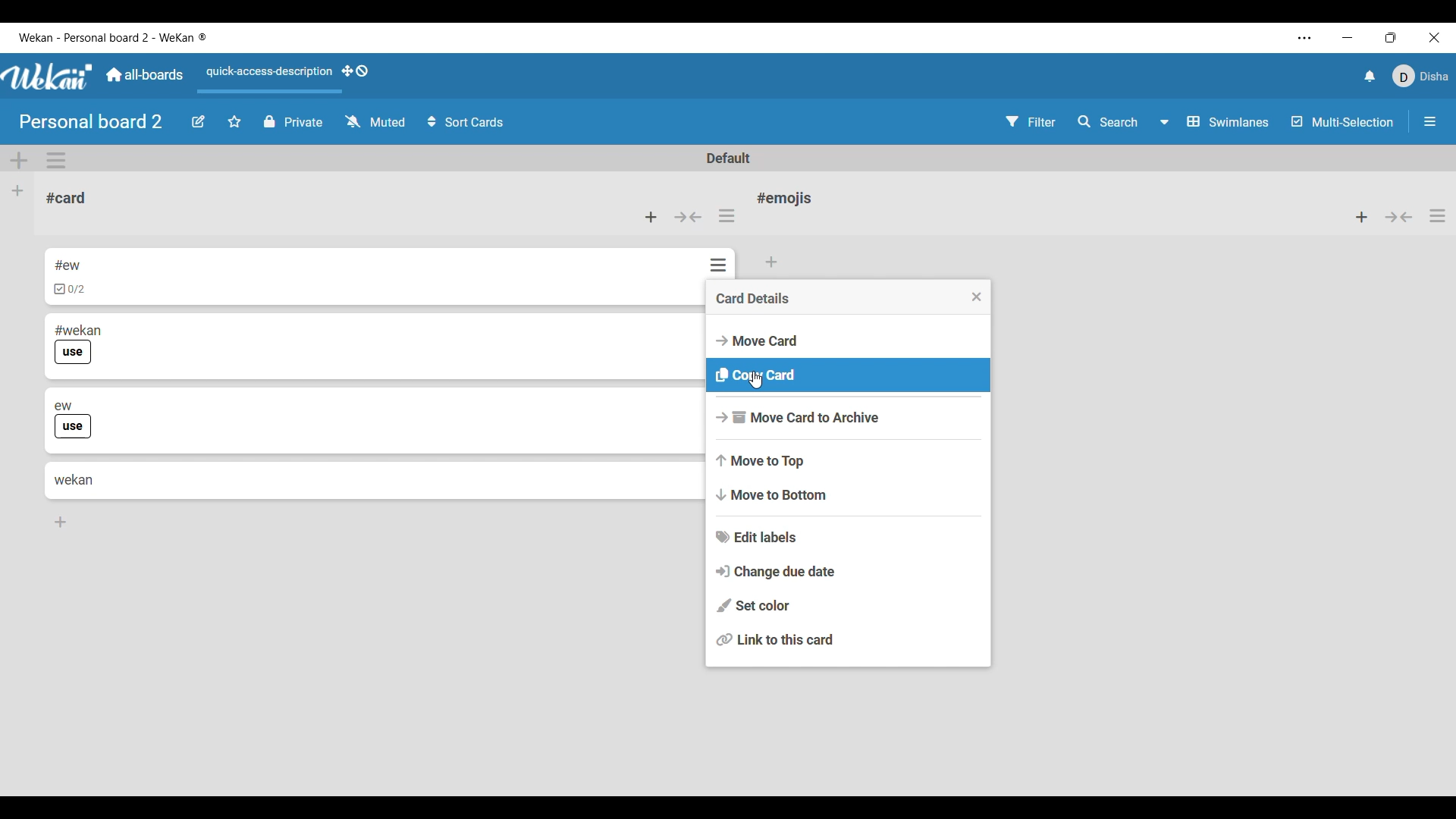 Image resolution: width=1456 pixels, height=819 pixels. Describe the element at coordinates (1031, 121) in the screenshot. I see `Filter` at that location.